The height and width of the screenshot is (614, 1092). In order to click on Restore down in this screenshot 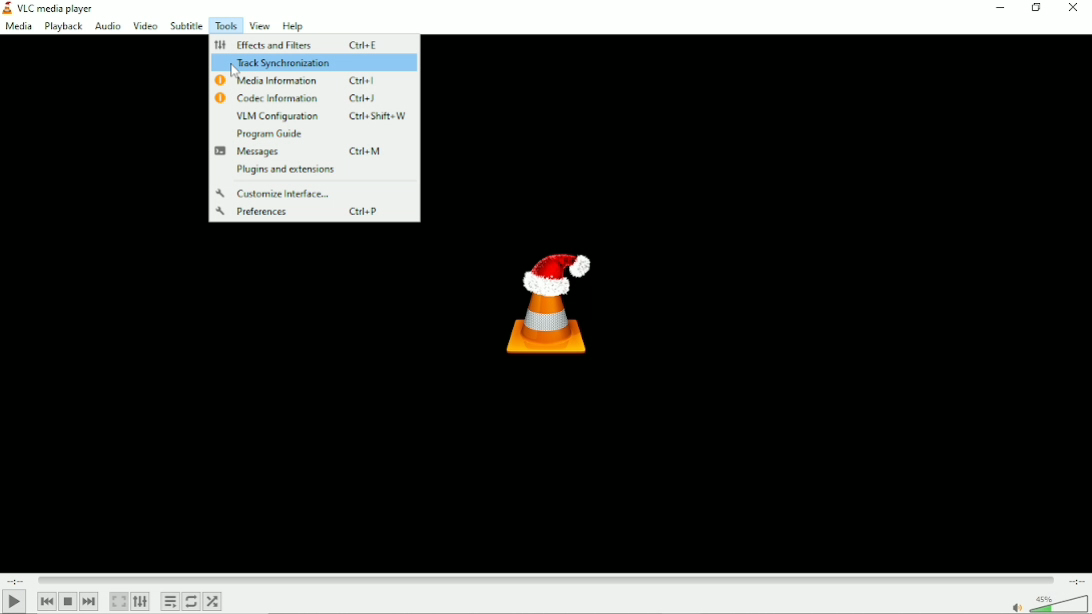, I will do `click(1036, 10)`.